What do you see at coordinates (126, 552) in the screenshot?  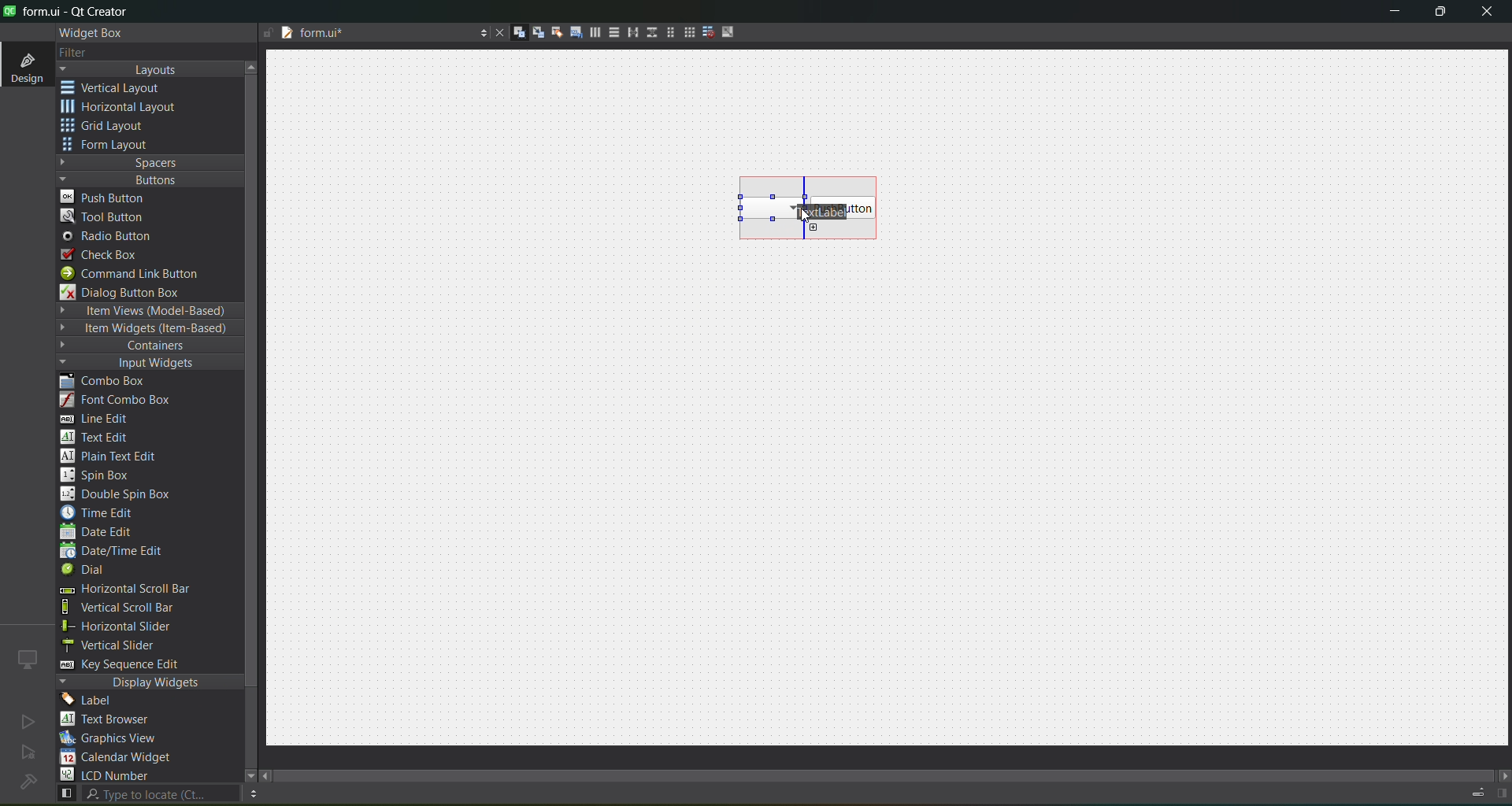 I see `date/time edit` at bounding box center [126, 552].